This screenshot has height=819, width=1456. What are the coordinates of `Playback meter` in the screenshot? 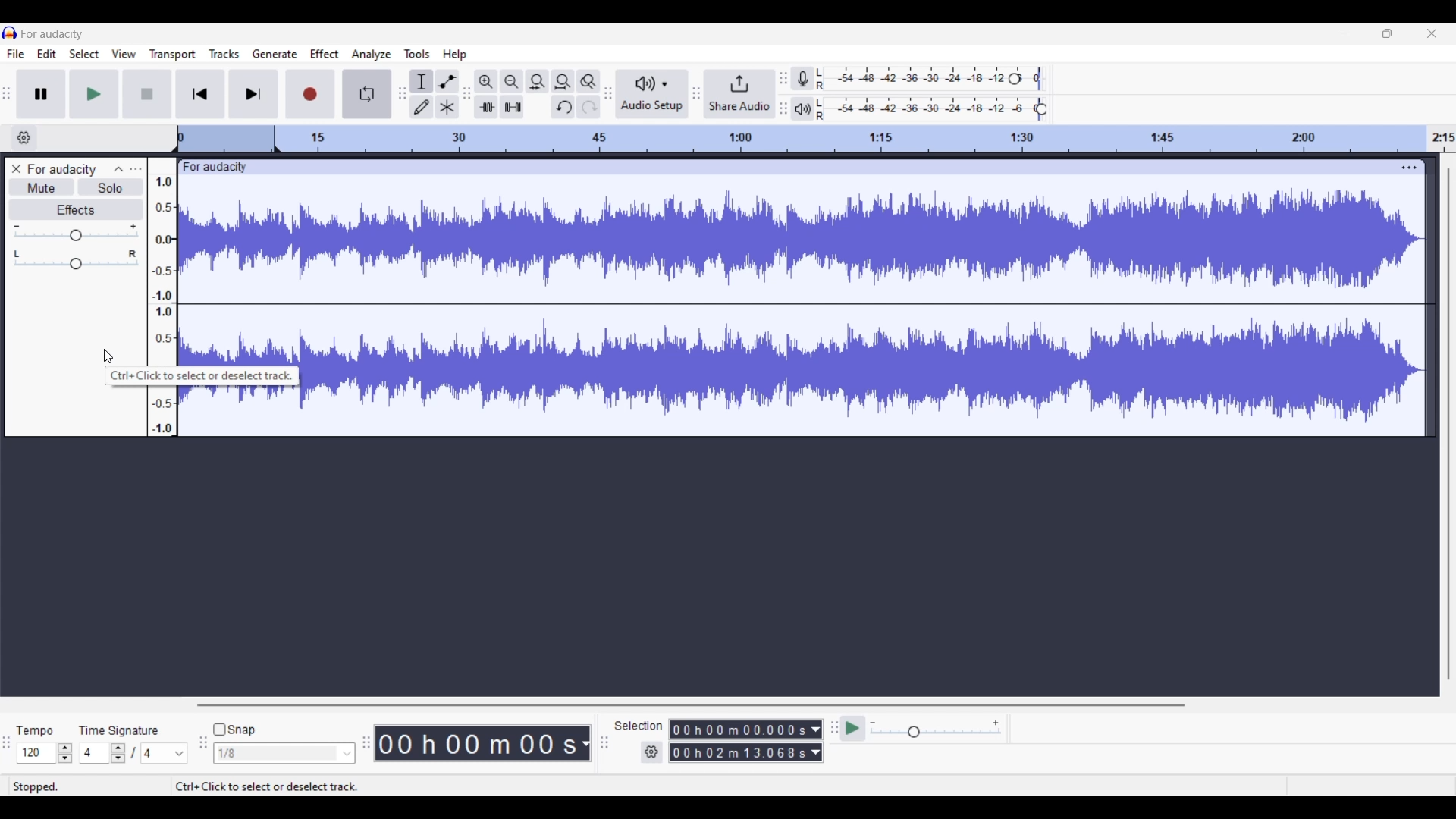 It's located at (803, 109).